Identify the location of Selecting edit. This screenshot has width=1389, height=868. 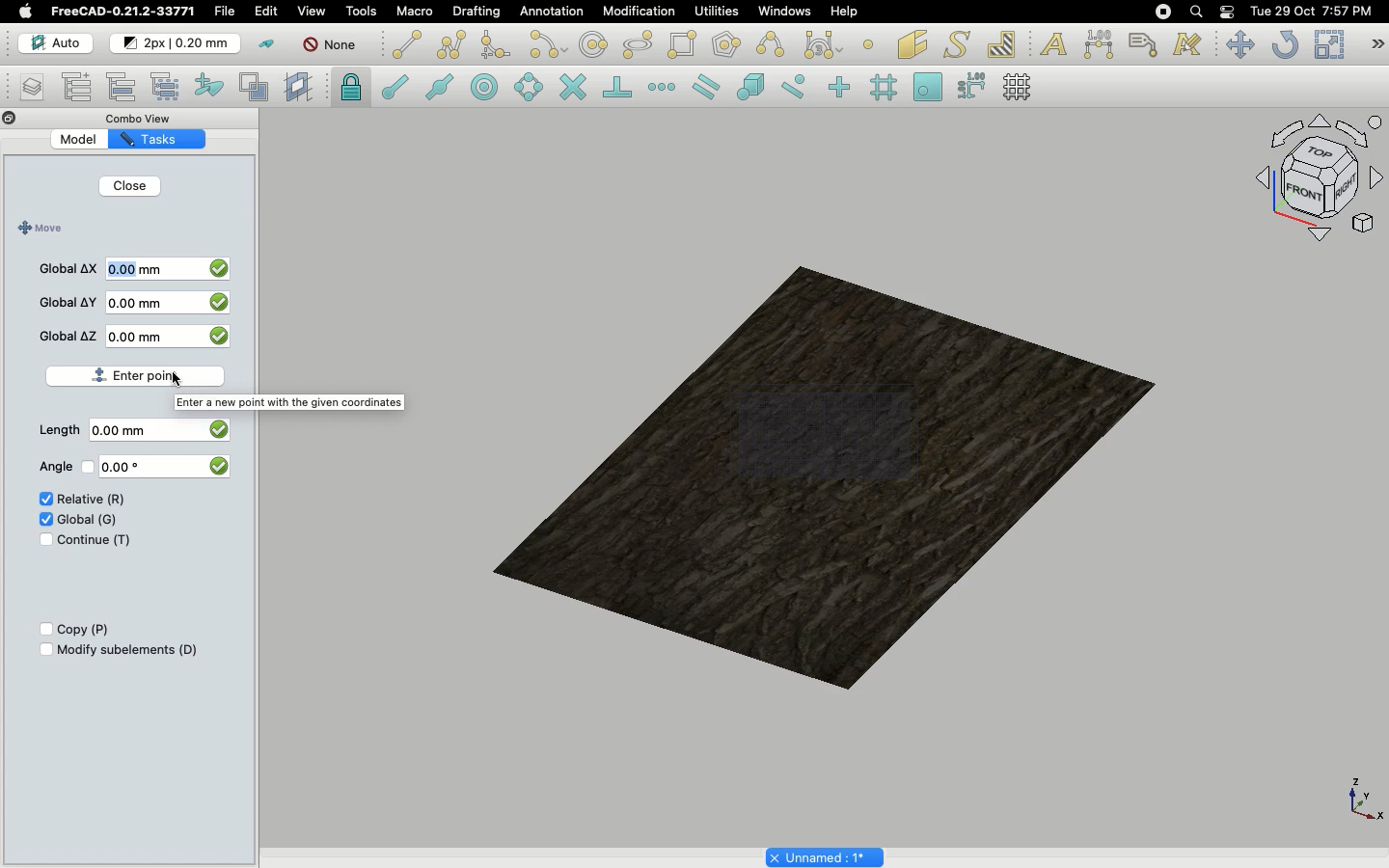
(270, 13).